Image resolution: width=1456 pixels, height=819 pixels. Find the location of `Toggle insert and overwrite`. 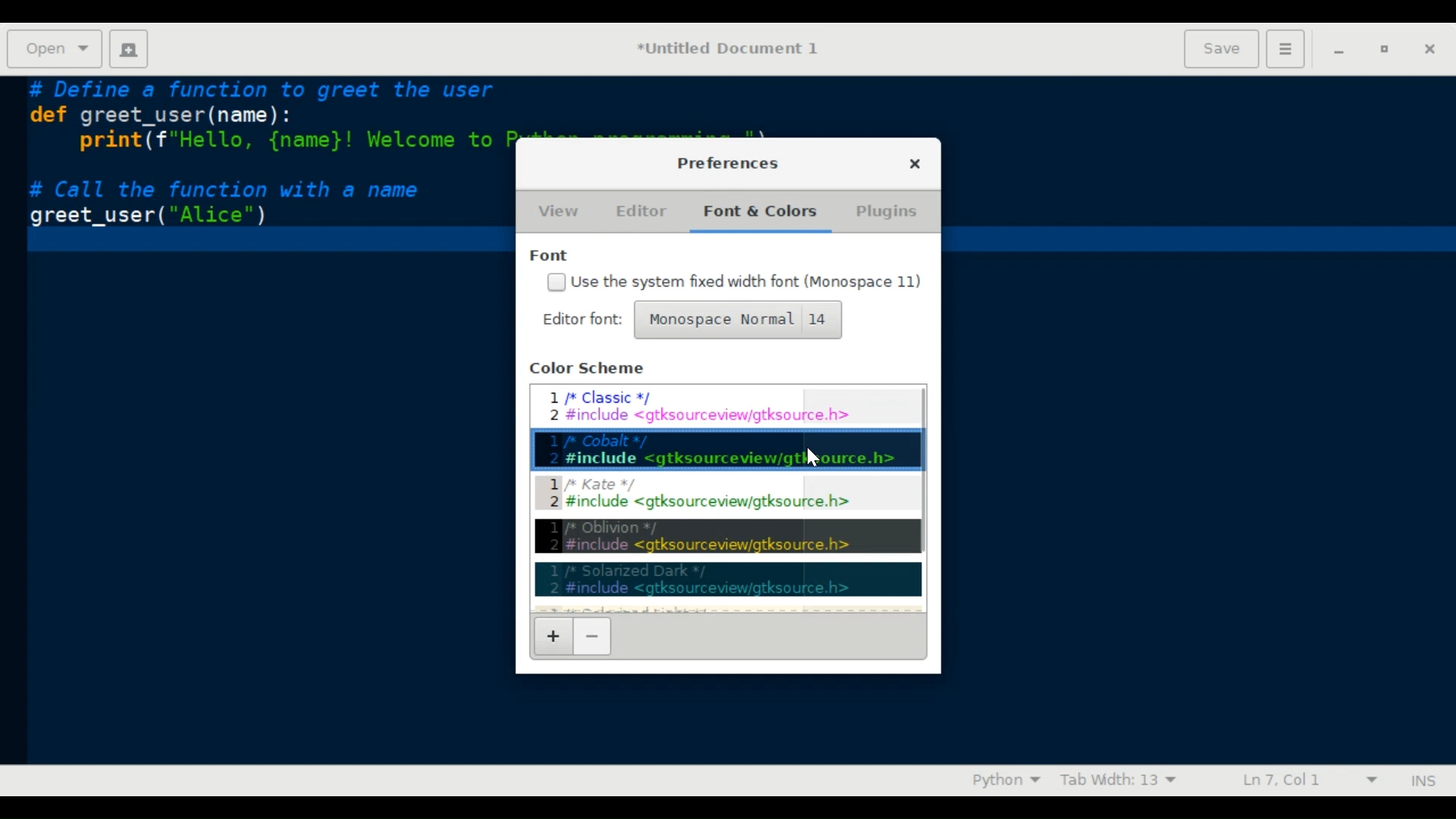

Toggle insert and overwrite is located at coordinates (1409, 780).